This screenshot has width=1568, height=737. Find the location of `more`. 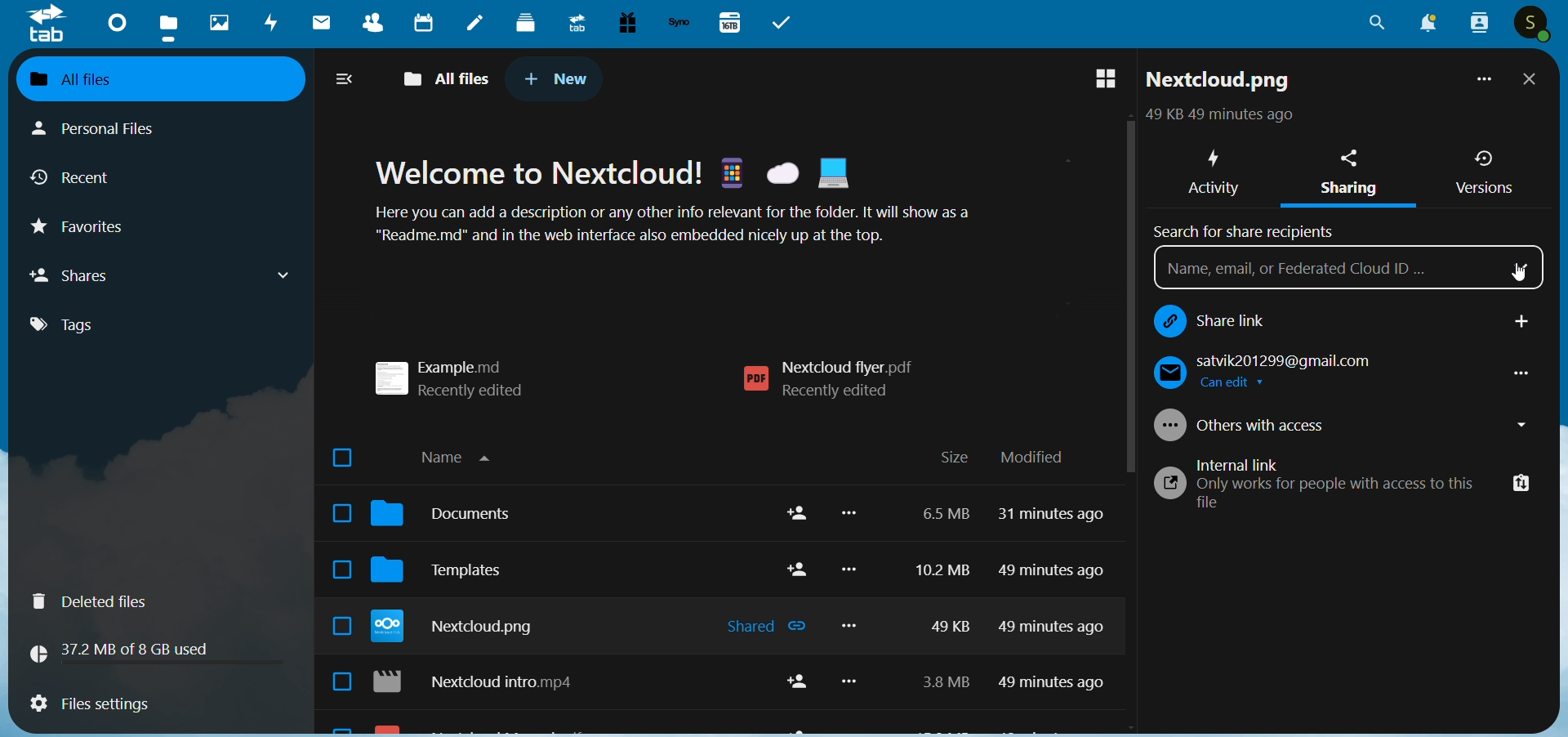

more is located at coordinates (1481, 83).